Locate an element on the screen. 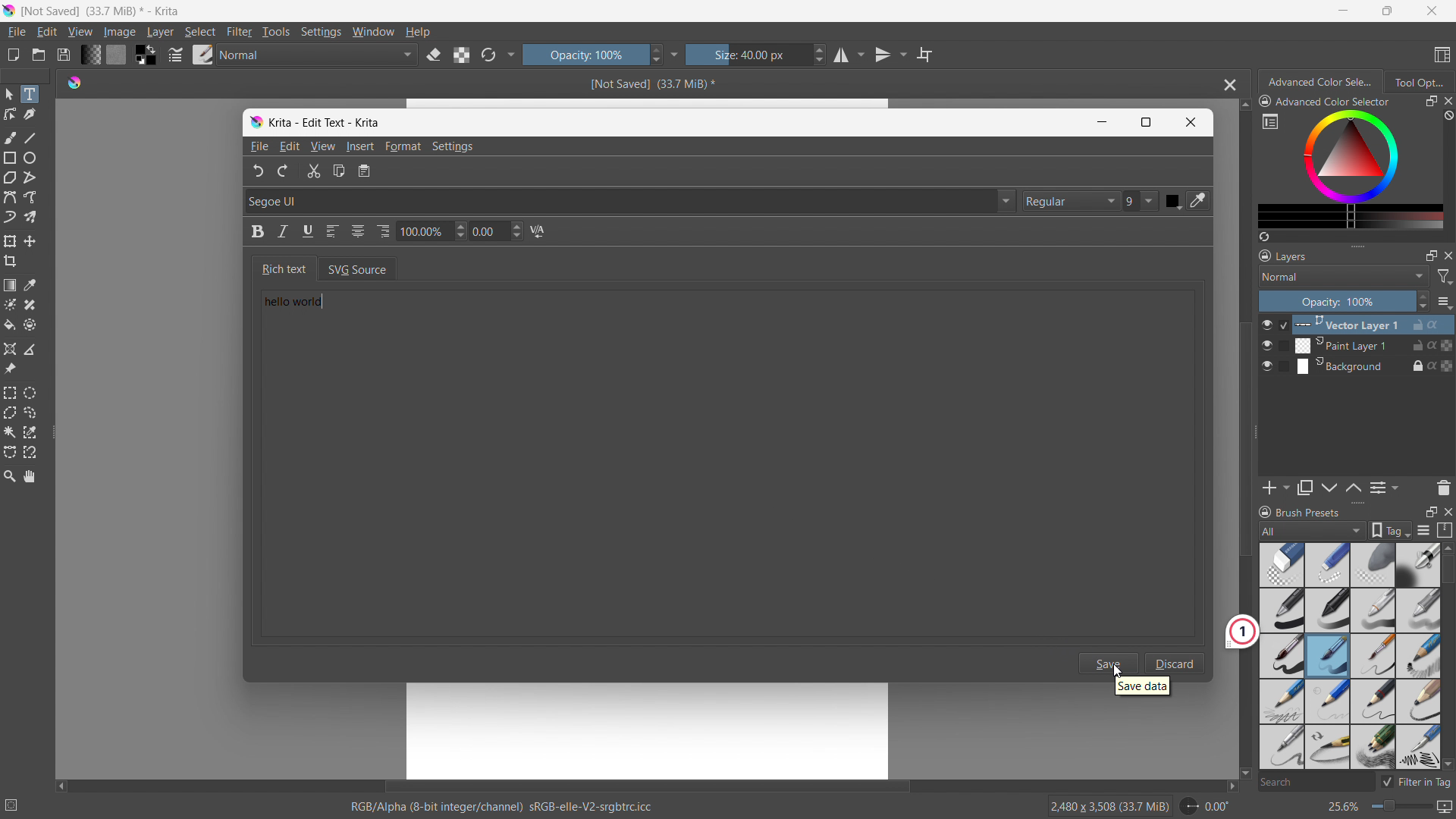  move layer down is located at coordinates (1353, 487).